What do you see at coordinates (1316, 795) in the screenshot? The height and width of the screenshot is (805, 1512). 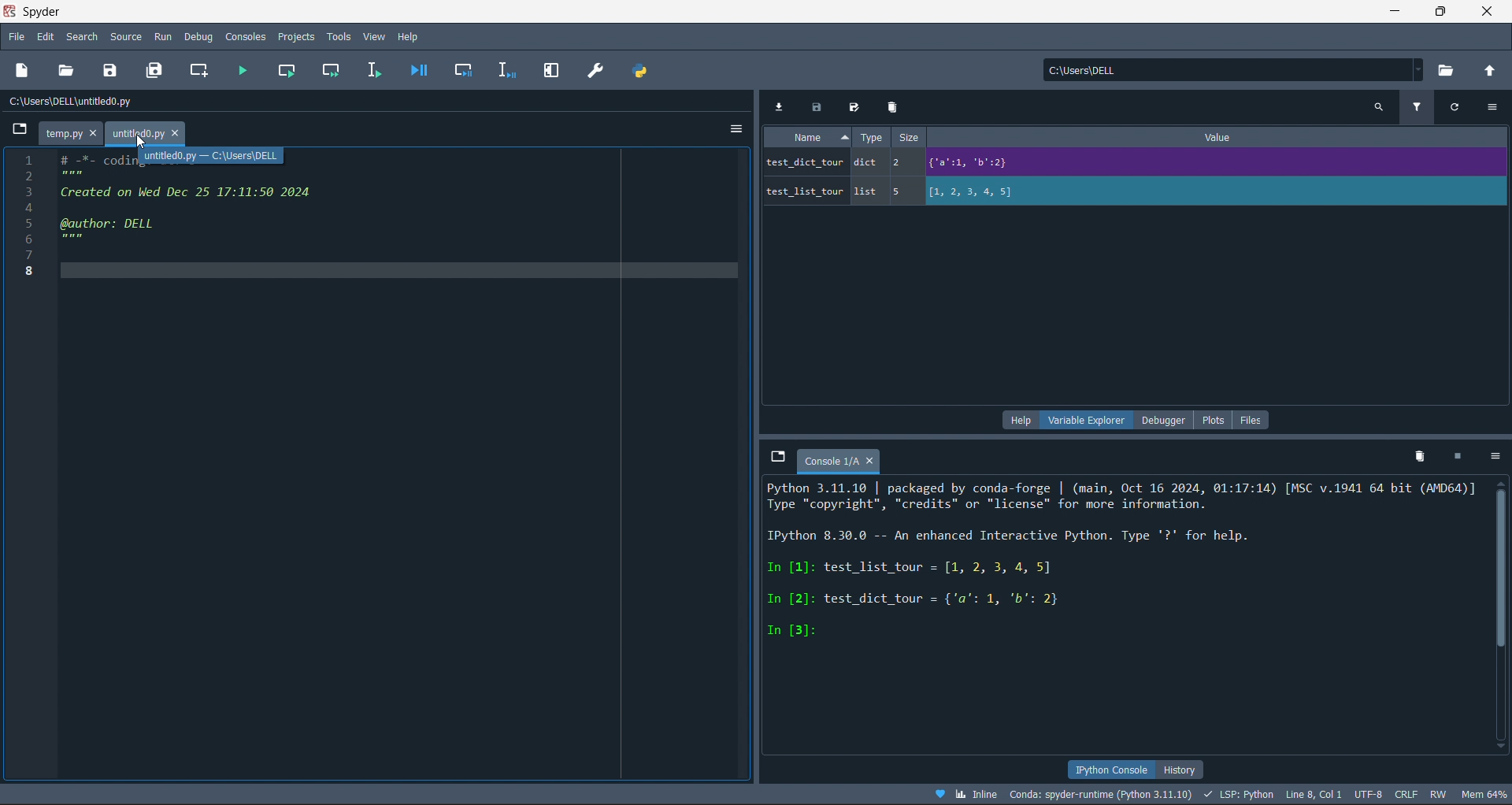 I see `Line 8, Col 1` at bounding box center [1316, 795].